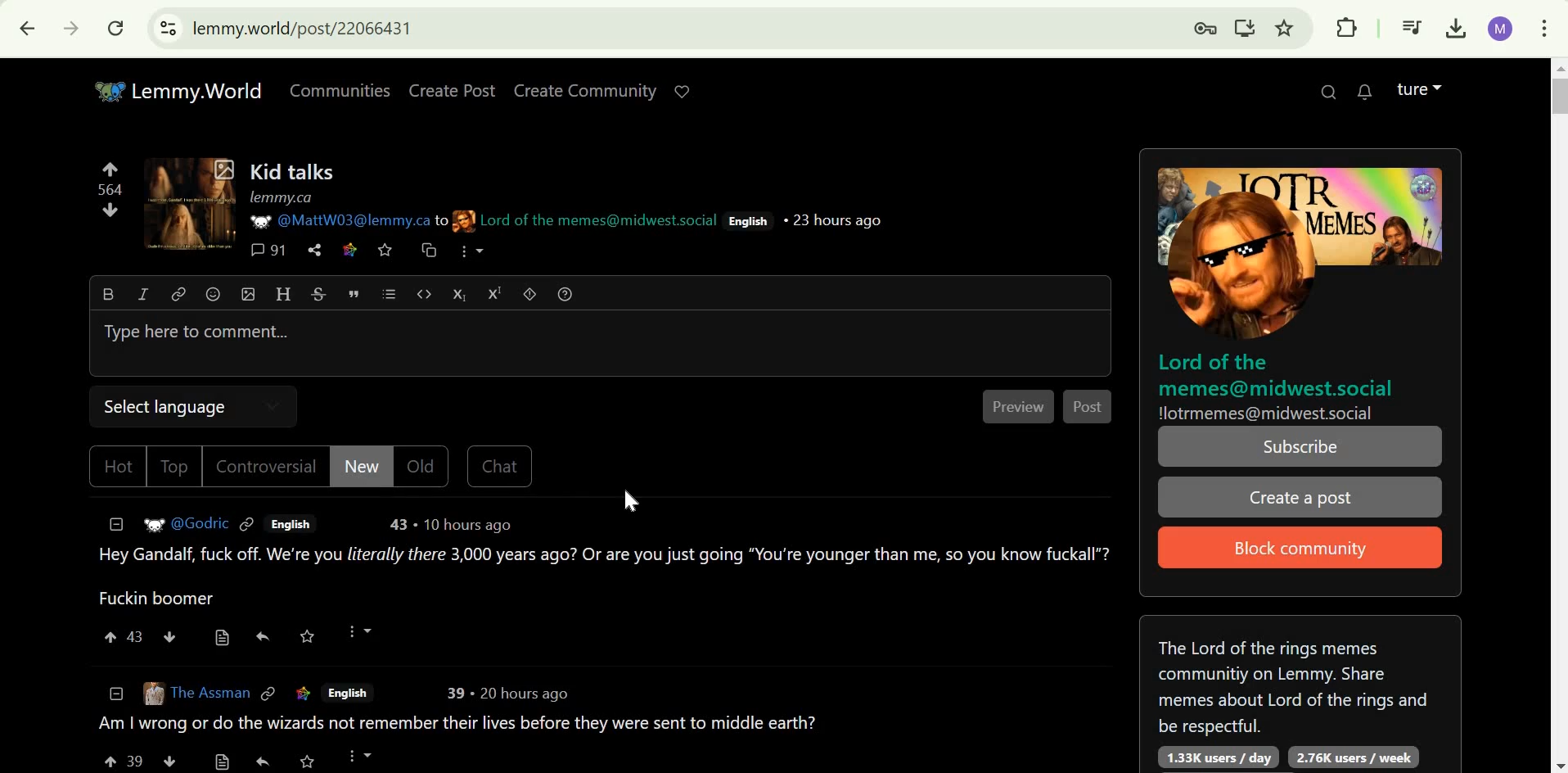 This screenshot has height=773, width=1568. What do you see at coordinates (469, 525) in the screenshot?
I see `10 hours ago` at bounding box center [469, 525].